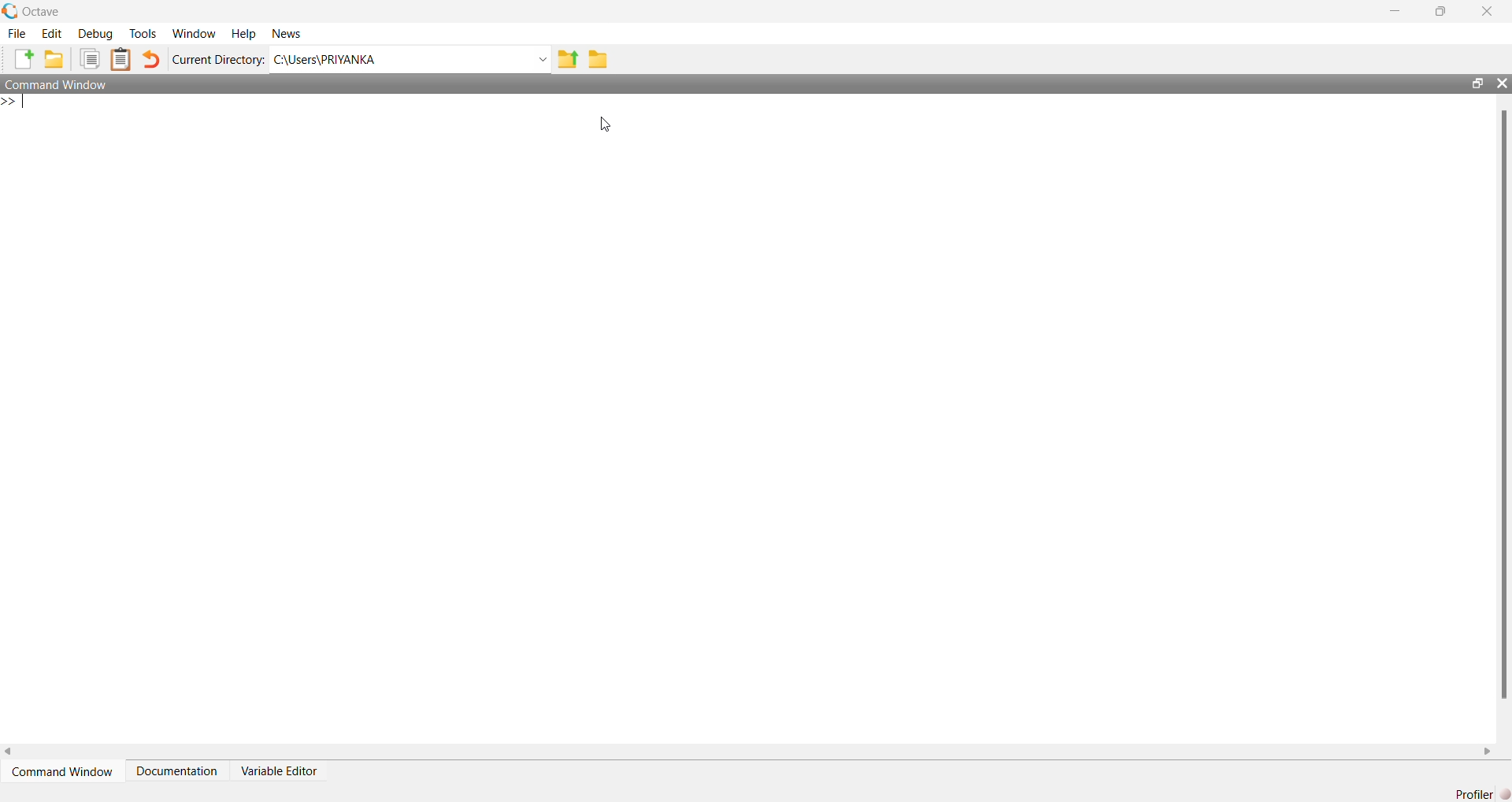 The width and height of the screenshot is (1512, 802). I want to click on Octave, so click(41, 12).